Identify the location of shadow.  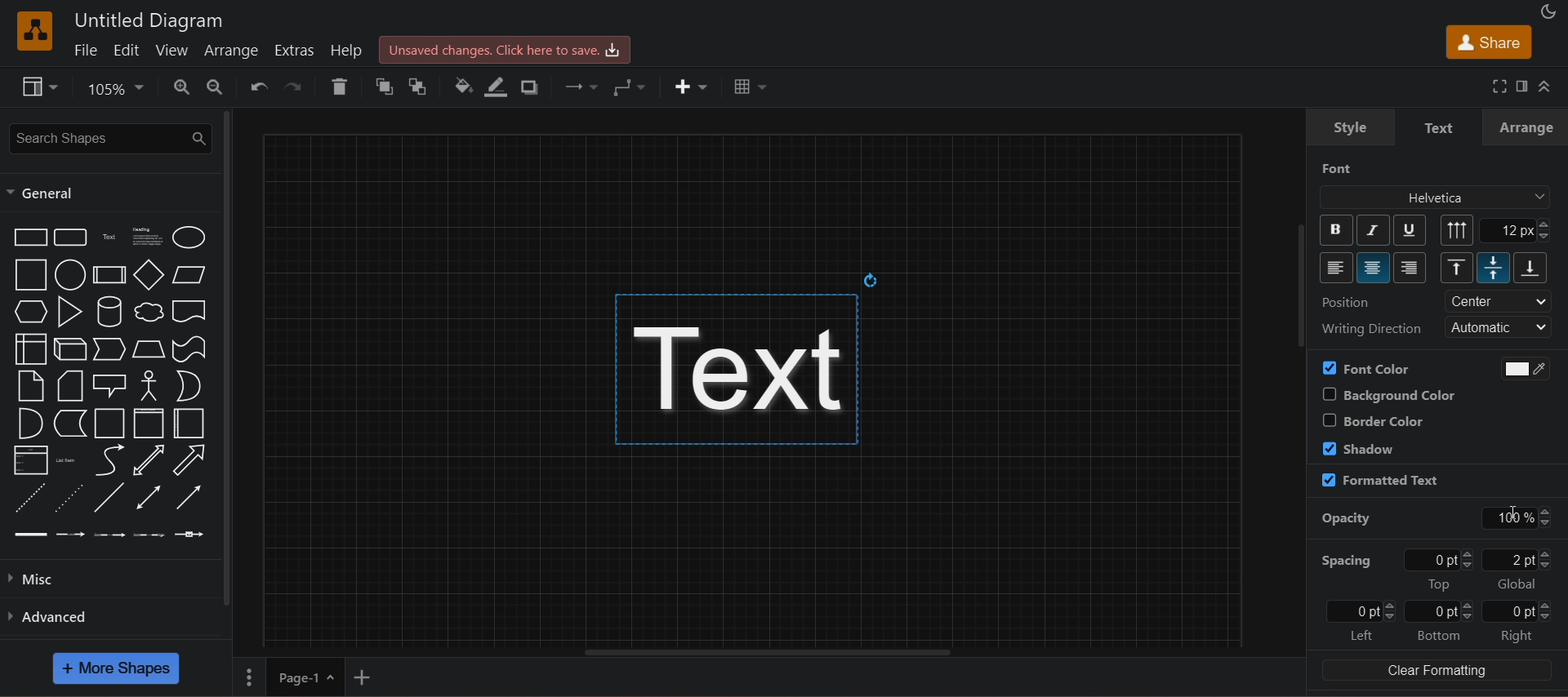
(532, 87).